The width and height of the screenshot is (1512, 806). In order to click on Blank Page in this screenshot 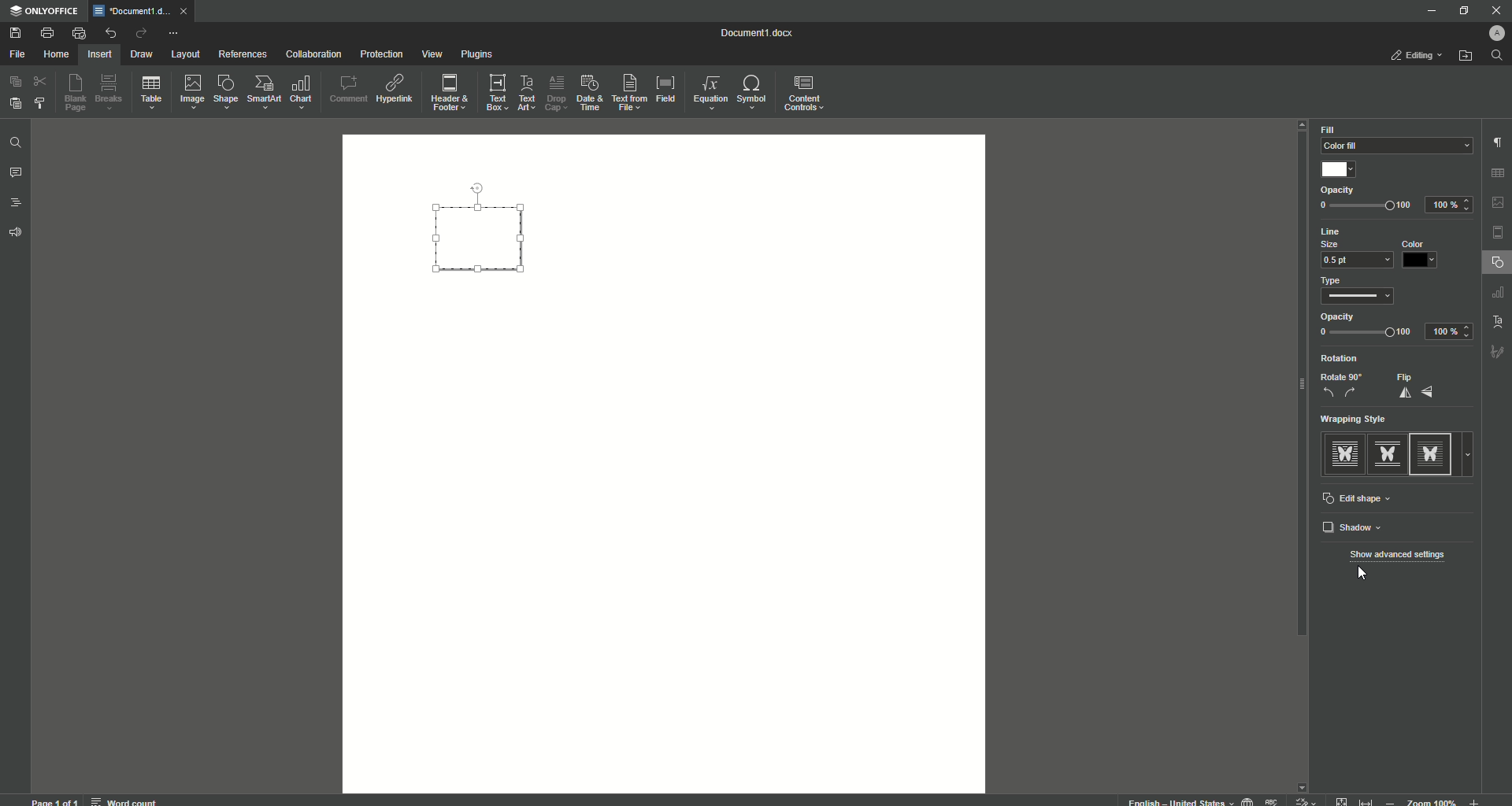, I will do `click(76, 92)`.